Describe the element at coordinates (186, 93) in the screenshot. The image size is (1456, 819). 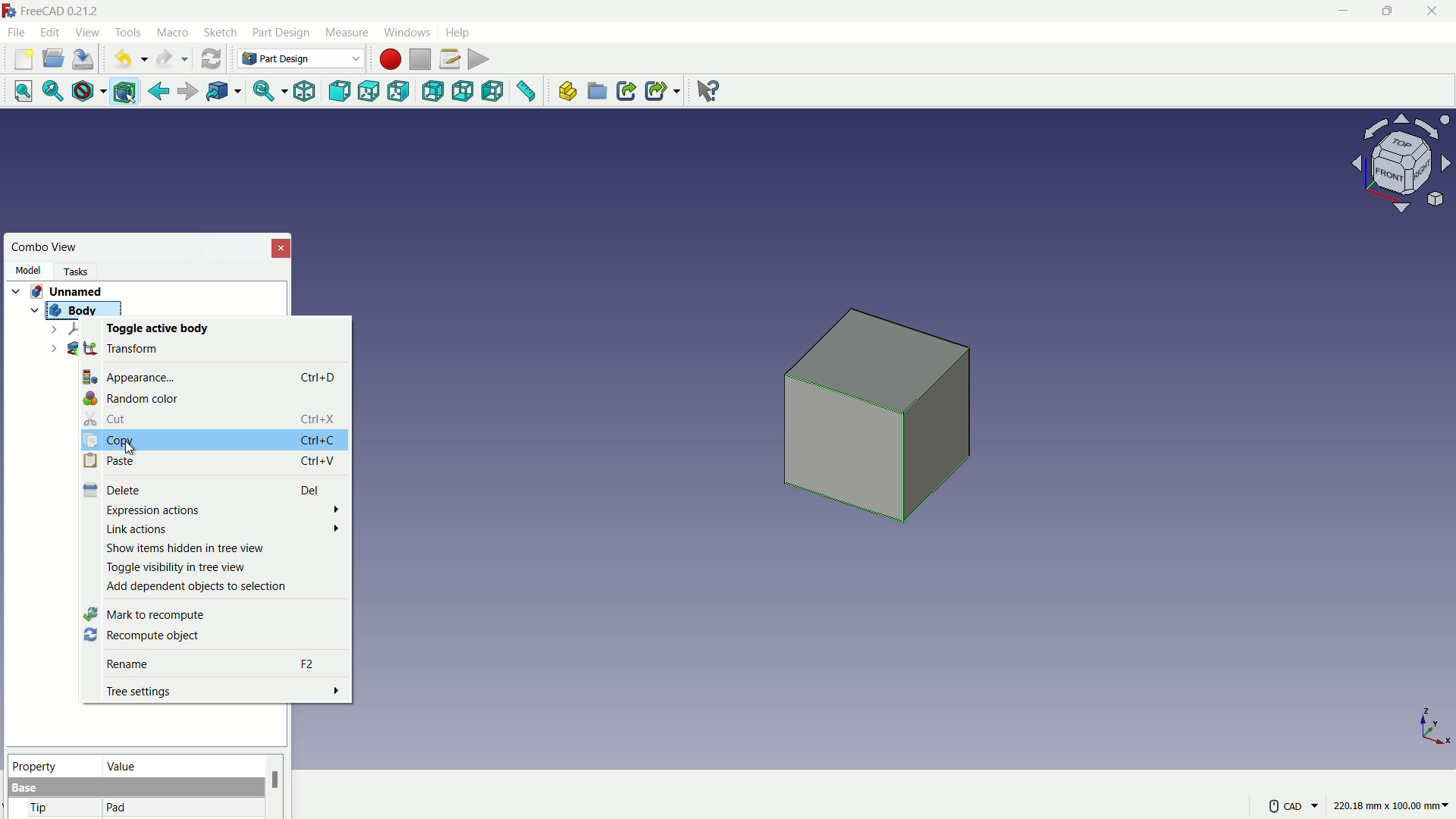
I see `forward` at that location.